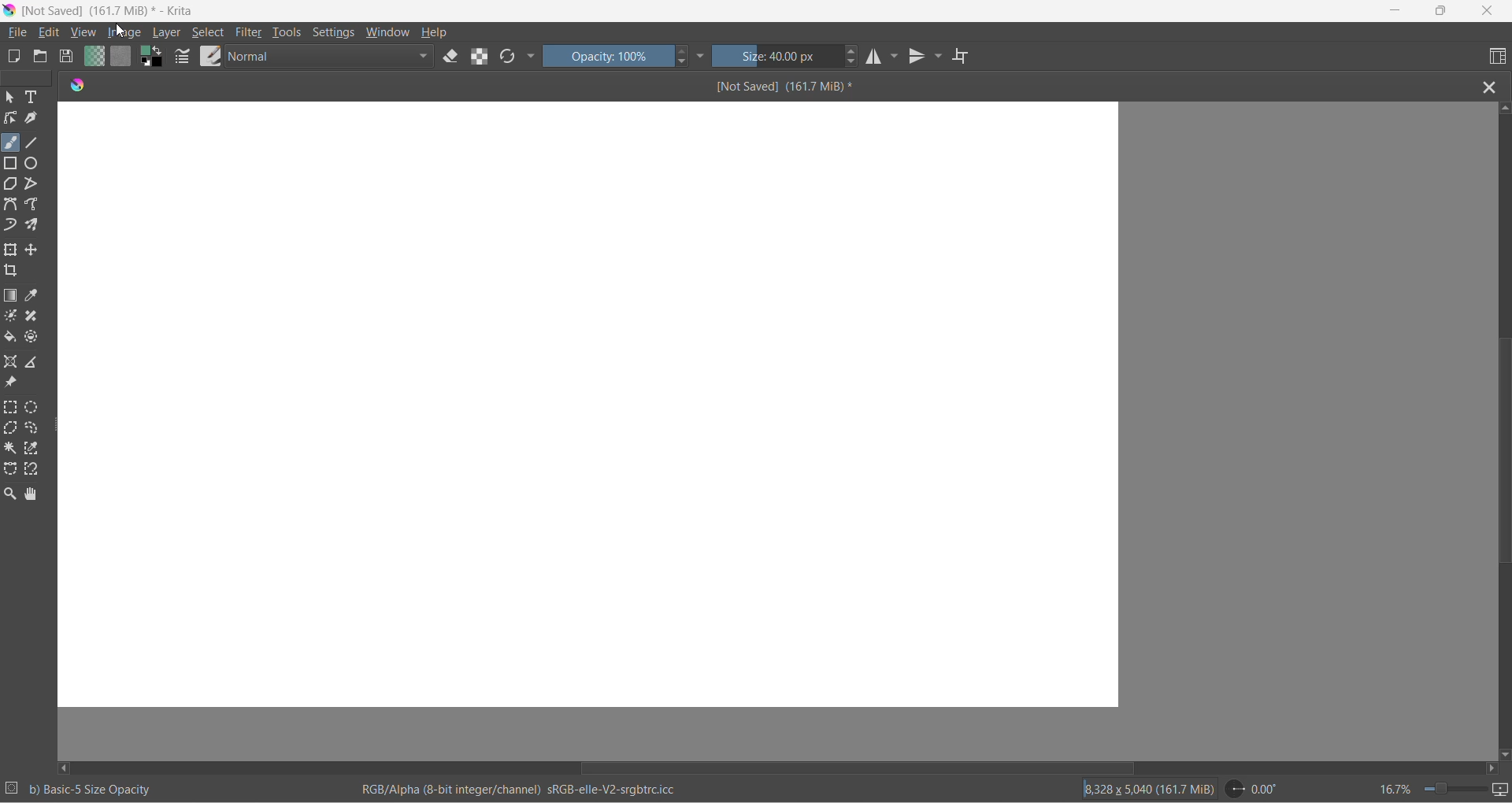  What do you see at coordinates (702, 56) in the screenshot?
I see `more settings dropdown button` at bounding box center [702, 56].